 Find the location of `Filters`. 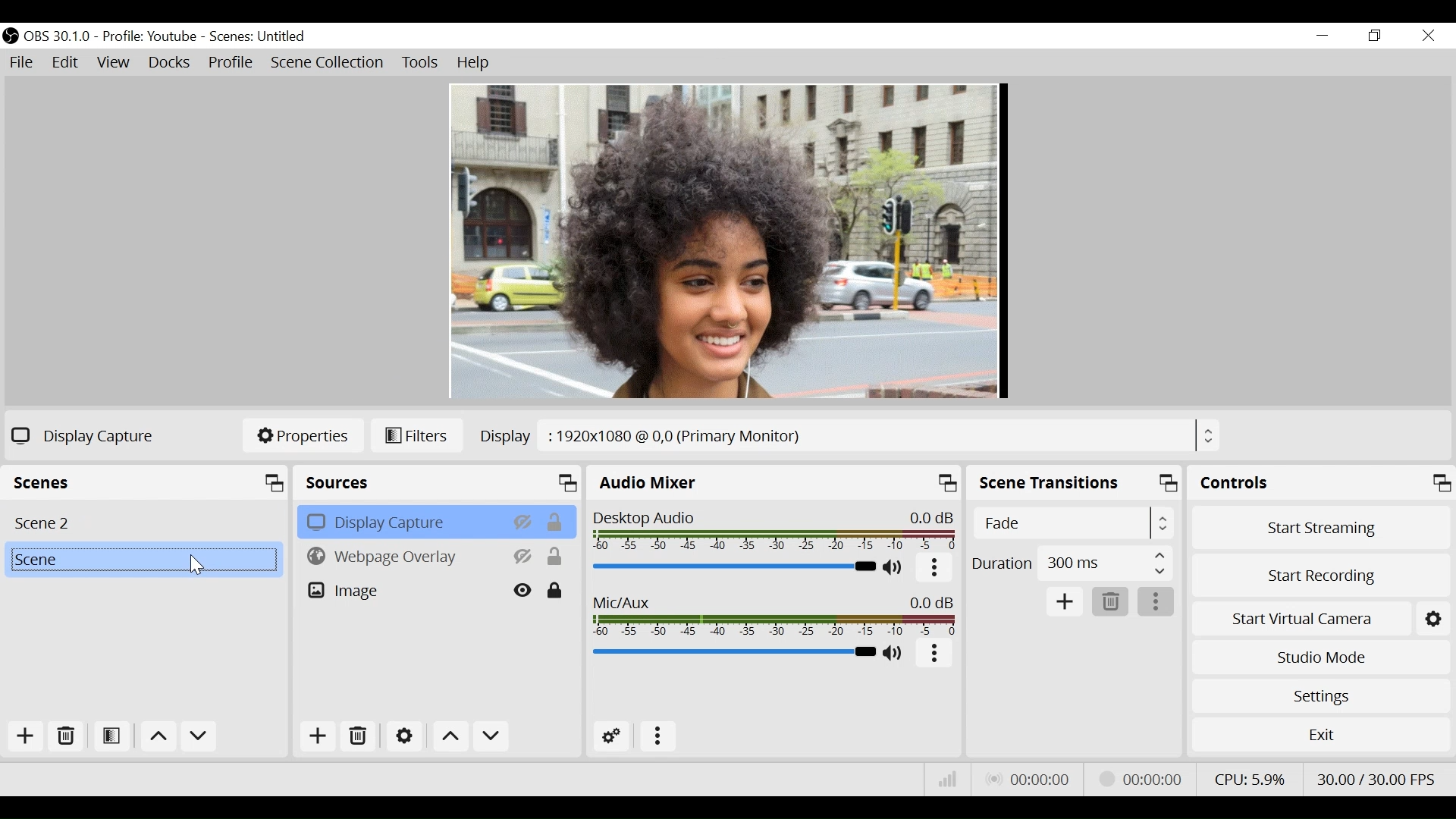

Filters is located at coordinates (419, 436).